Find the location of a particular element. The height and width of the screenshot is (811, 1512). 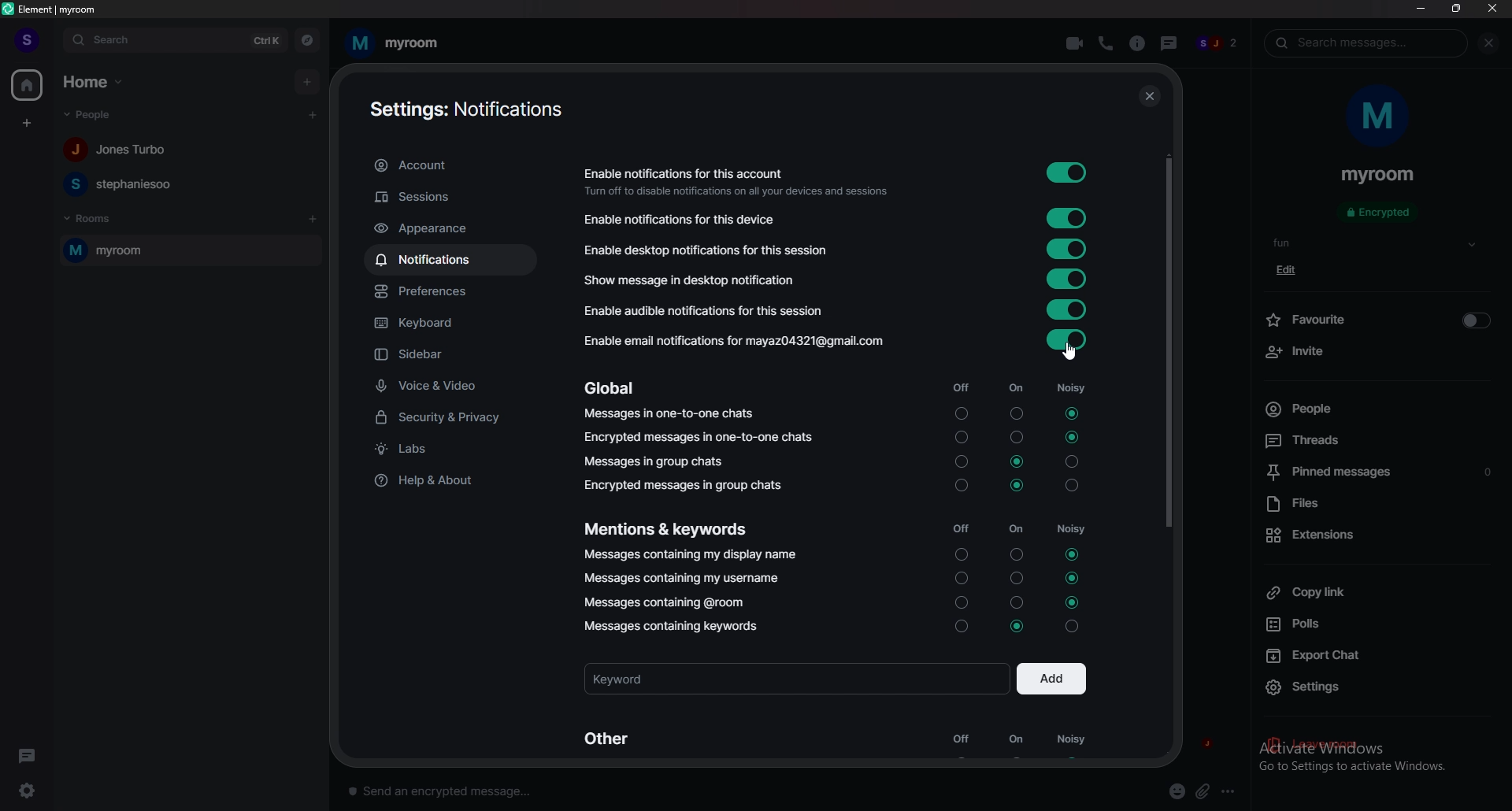

minimize is located at coordinates (1421, 8).